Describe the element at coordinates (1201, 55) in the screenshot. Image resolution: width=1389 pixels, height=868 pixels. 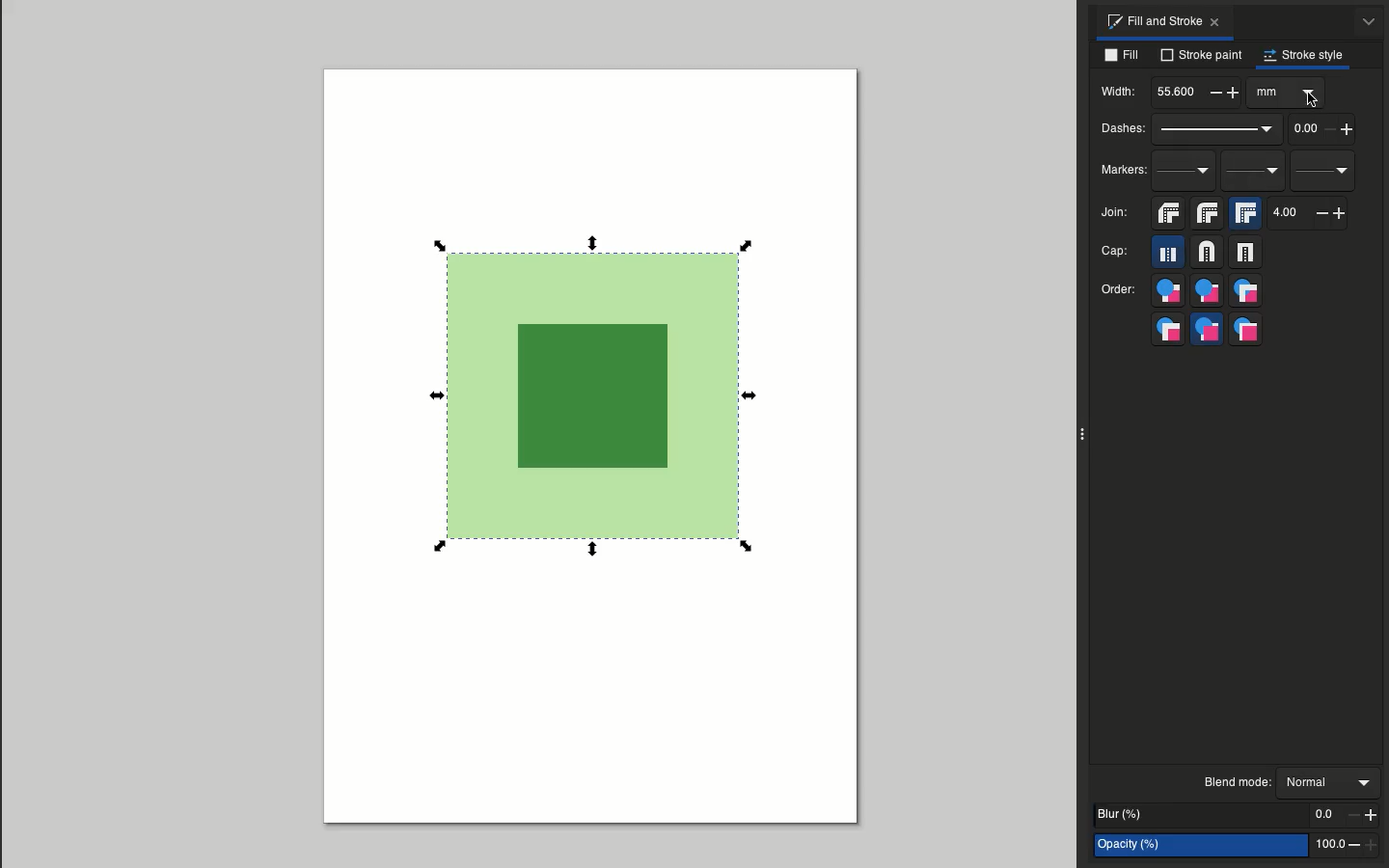
I see `Stroke paint` at that location.